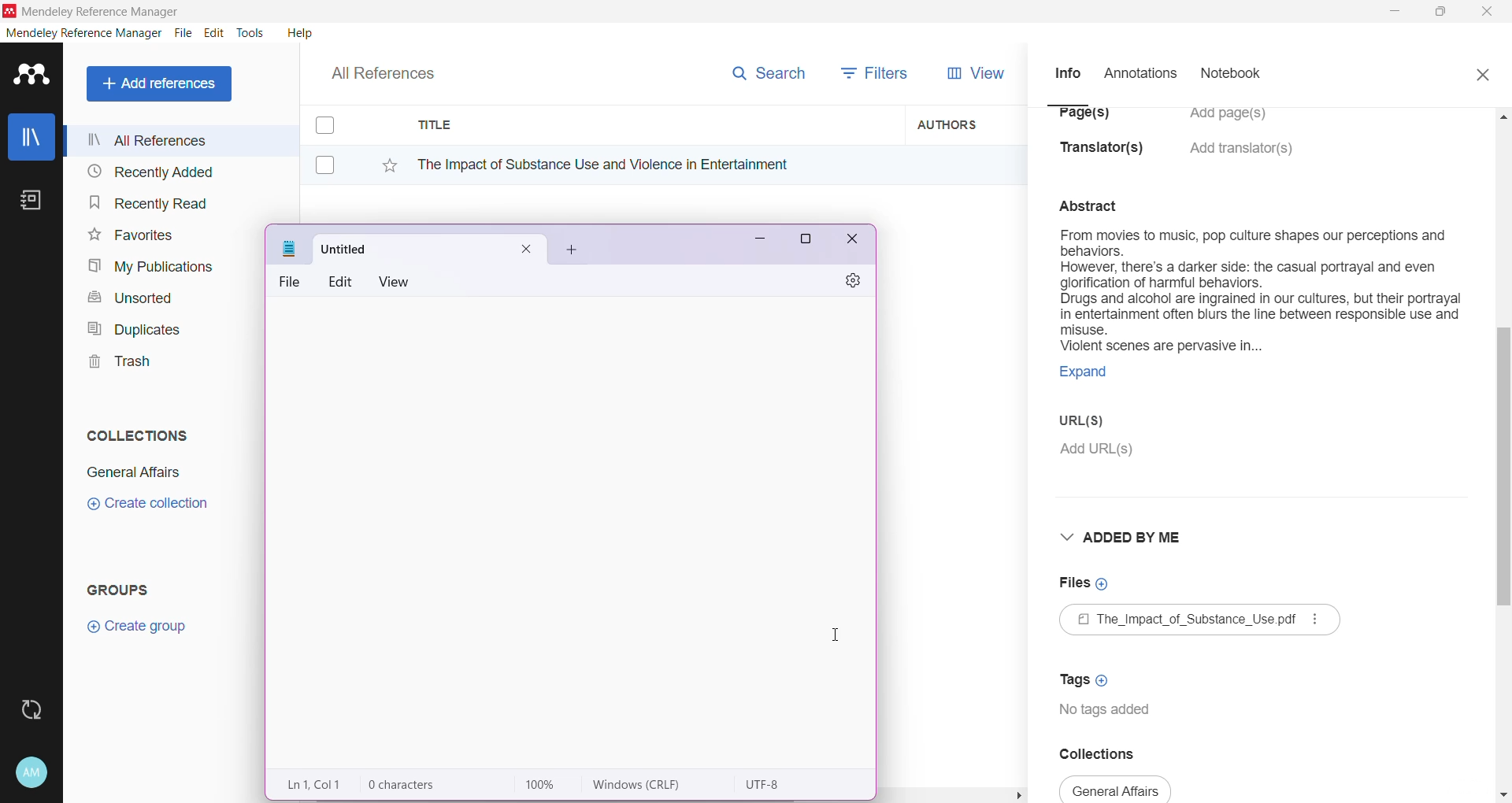 Image resolution: width=1512 pixels, height=803 pixels. I want to click on Last Sync, so click(38, 708).